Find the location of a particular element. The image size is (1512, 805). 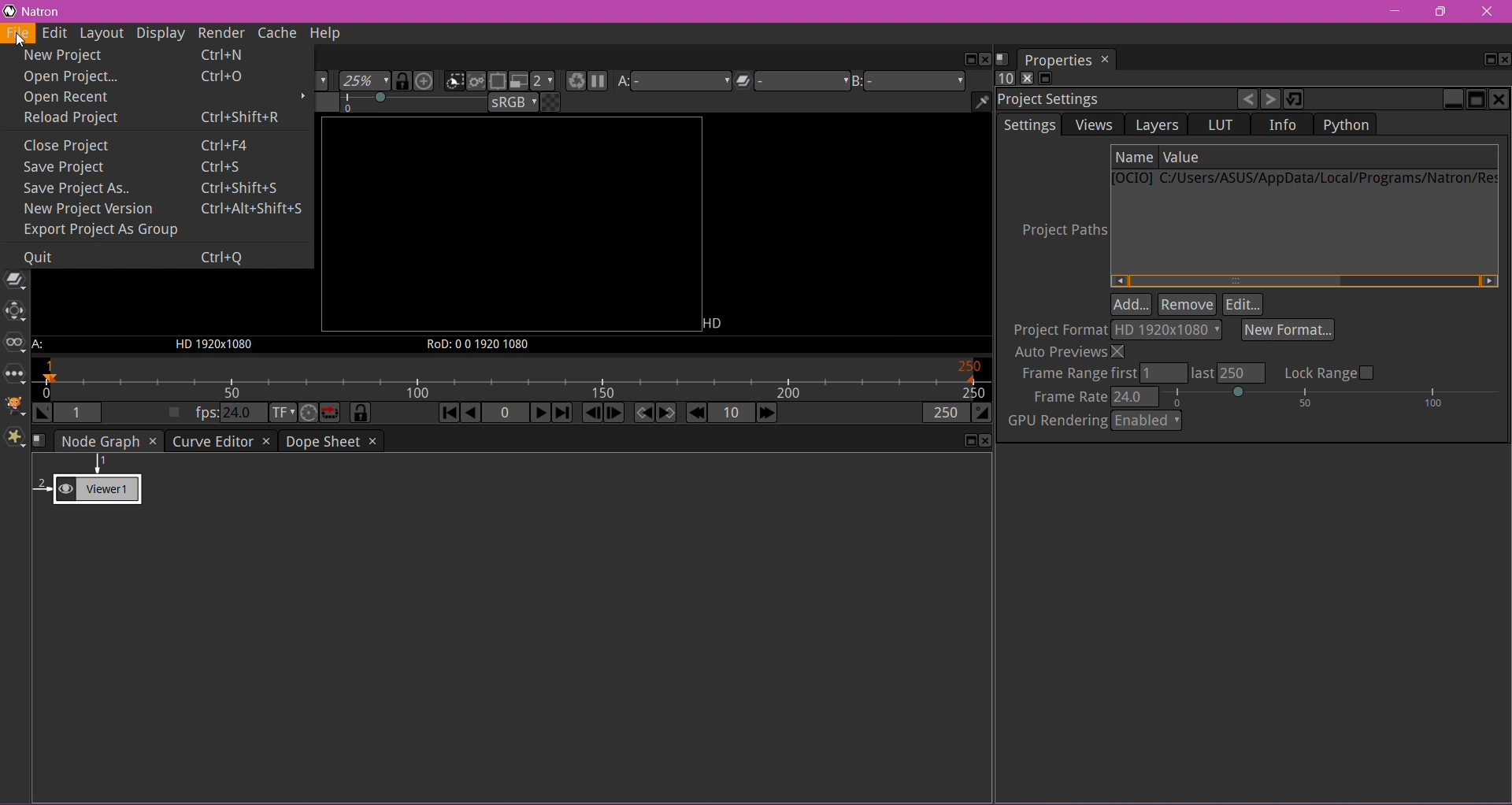

Reload Project is located at coordinates (157, 118).